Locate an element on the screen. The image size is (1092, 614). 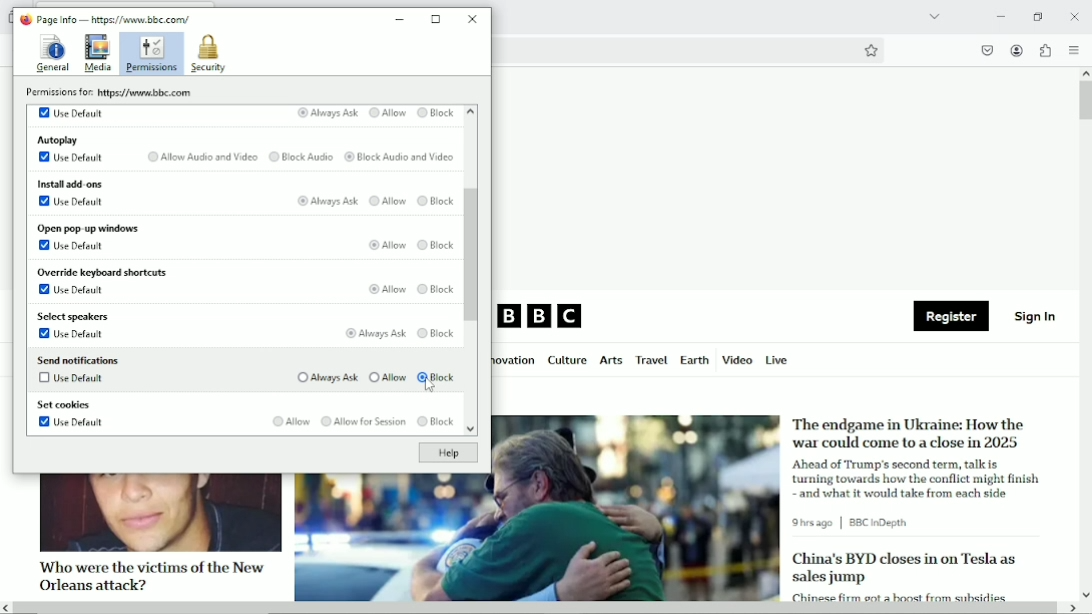
restore down is located at coordinates (1039, 16).